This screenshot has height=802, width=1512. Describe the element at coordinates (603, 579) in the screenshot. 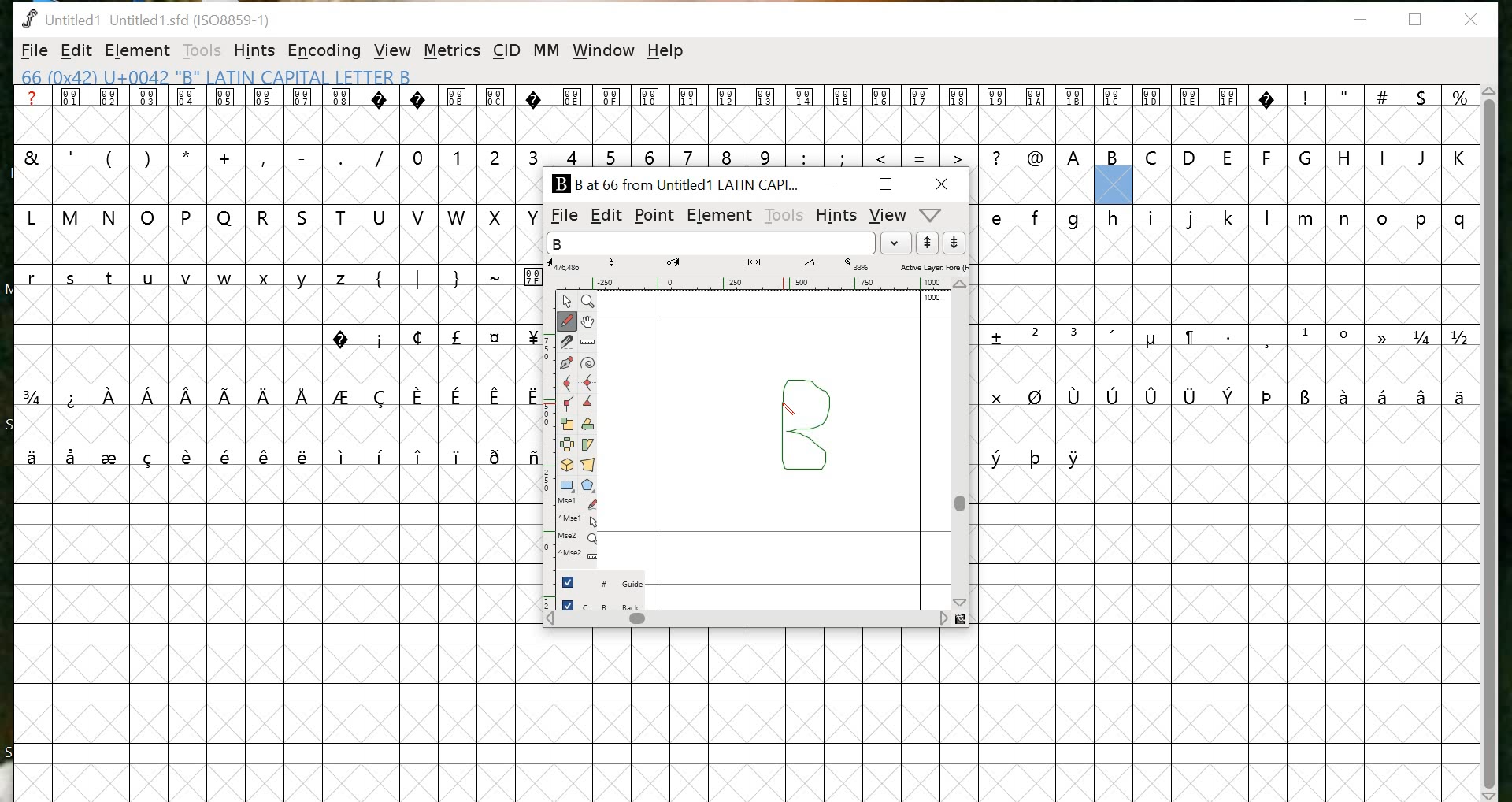

I see `guide layer` at that location.